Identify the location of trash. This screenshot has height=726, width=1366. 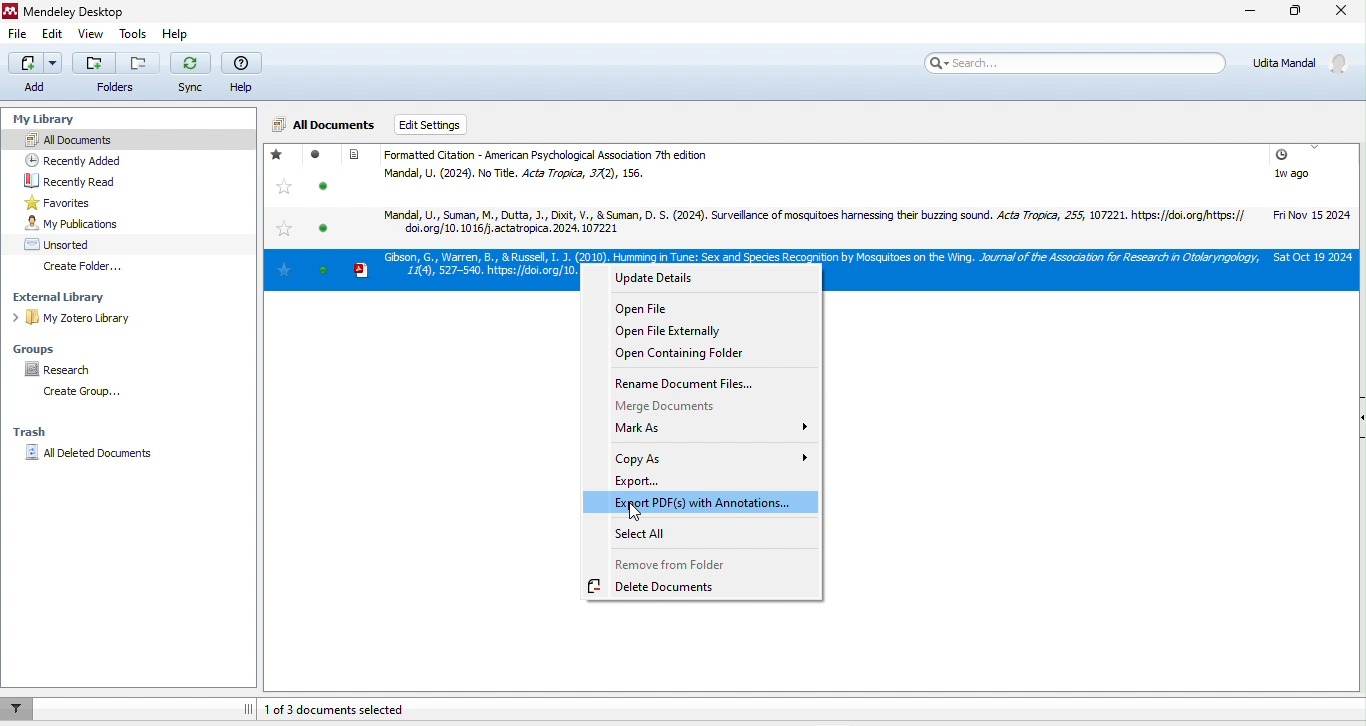
(35, 434).